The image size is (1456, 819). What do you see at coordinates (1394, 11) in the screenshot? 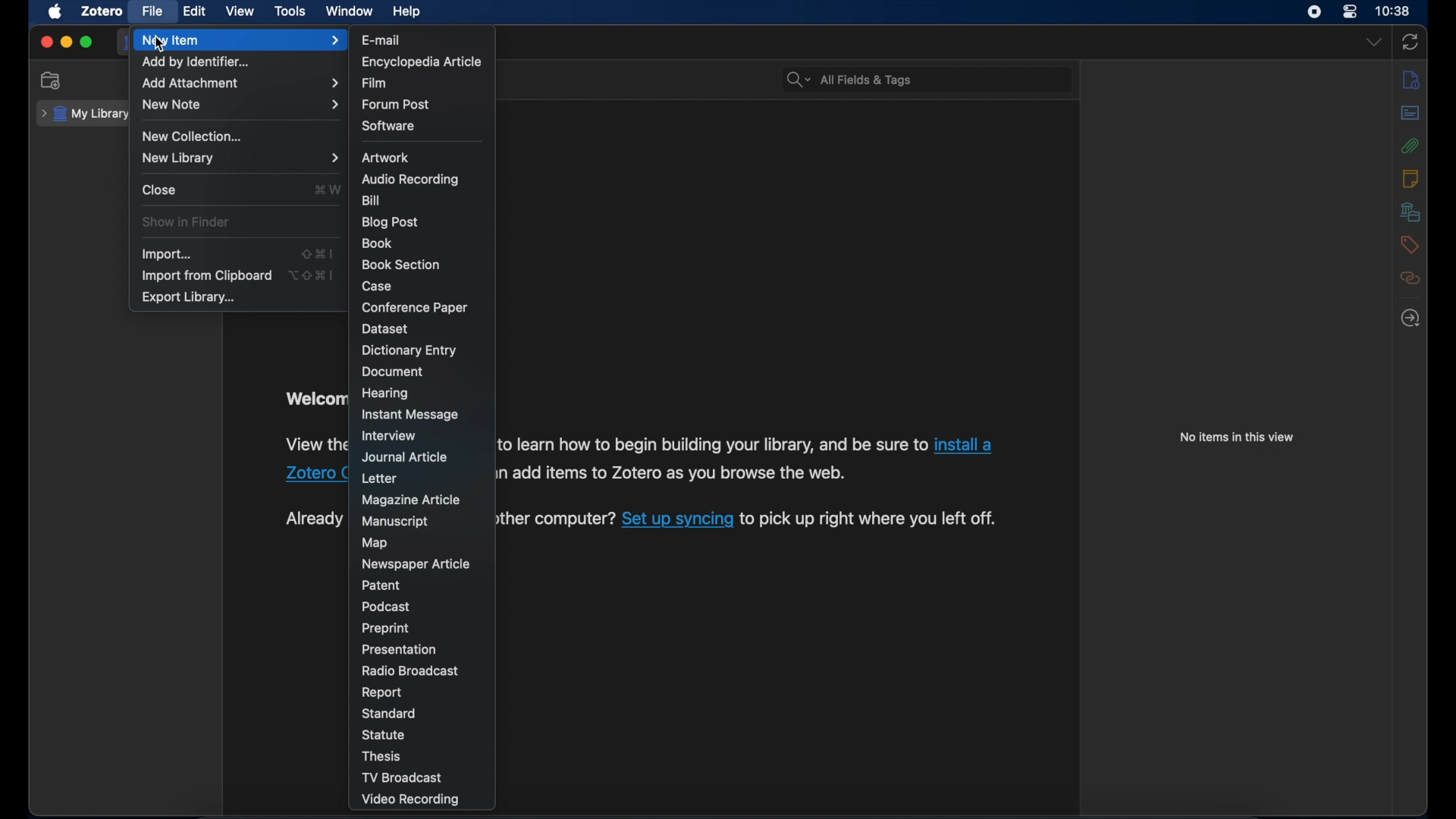
I see `time` at bounding box center [1394, 11].